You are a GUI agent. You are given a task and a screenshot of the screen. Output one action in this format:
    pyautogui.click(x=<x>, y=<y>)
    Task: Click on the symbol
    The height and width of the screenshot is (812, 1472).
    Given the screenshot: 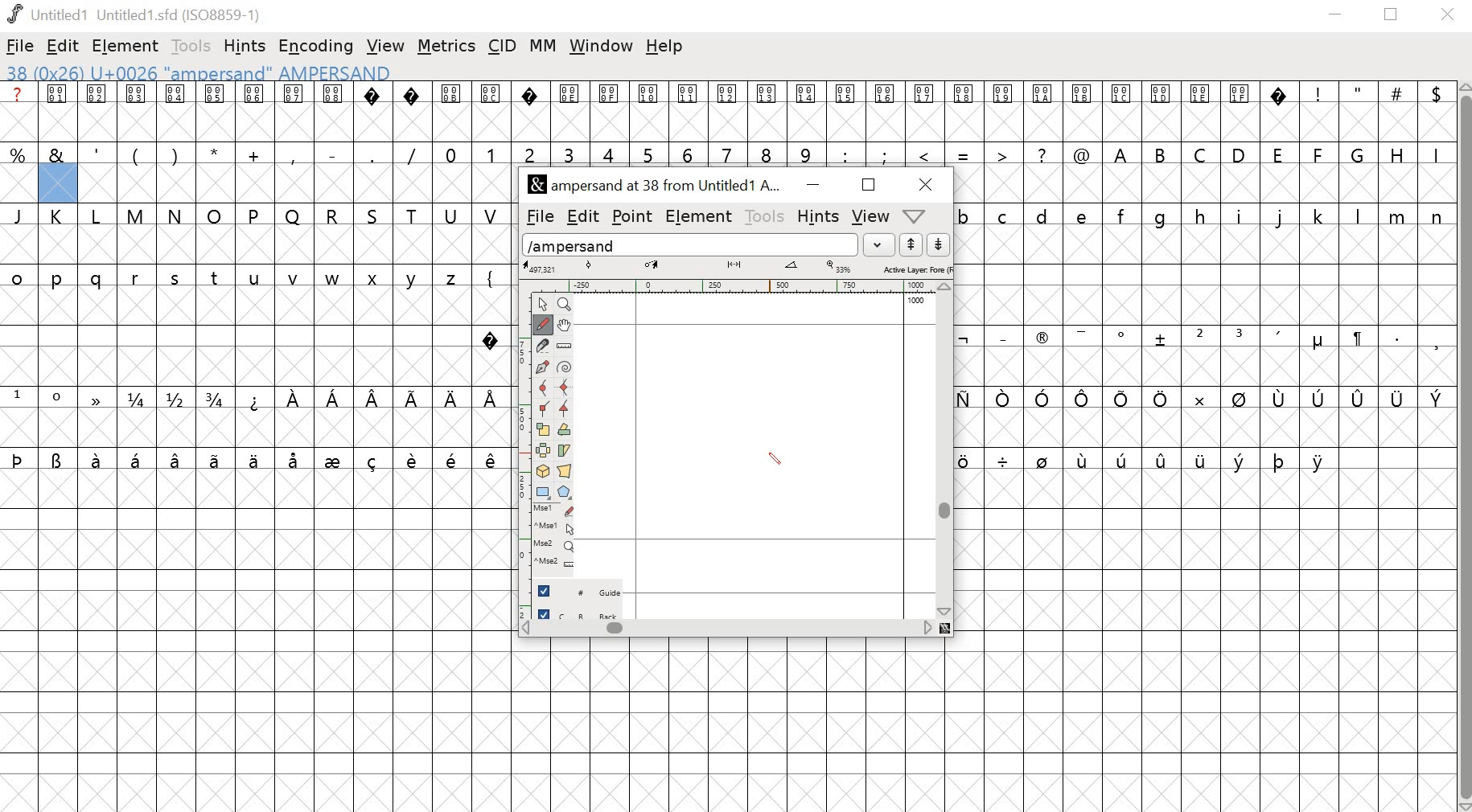 What is the action you would take?
    pyautogui.click(x=1280, y=460)
    